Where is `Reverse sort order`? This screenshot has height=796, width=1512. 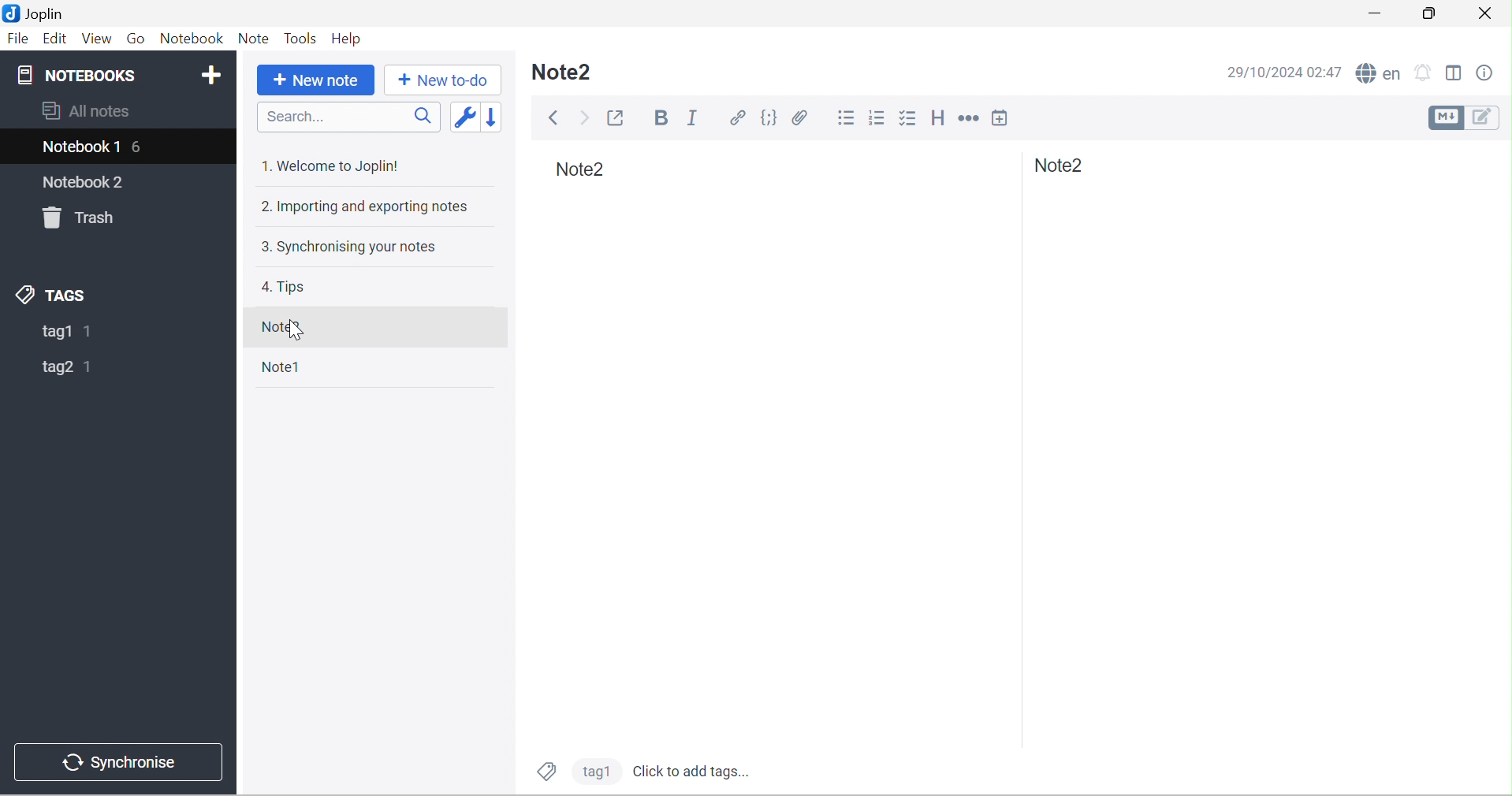
Reverse sort order is located at coordinates (492, 117).